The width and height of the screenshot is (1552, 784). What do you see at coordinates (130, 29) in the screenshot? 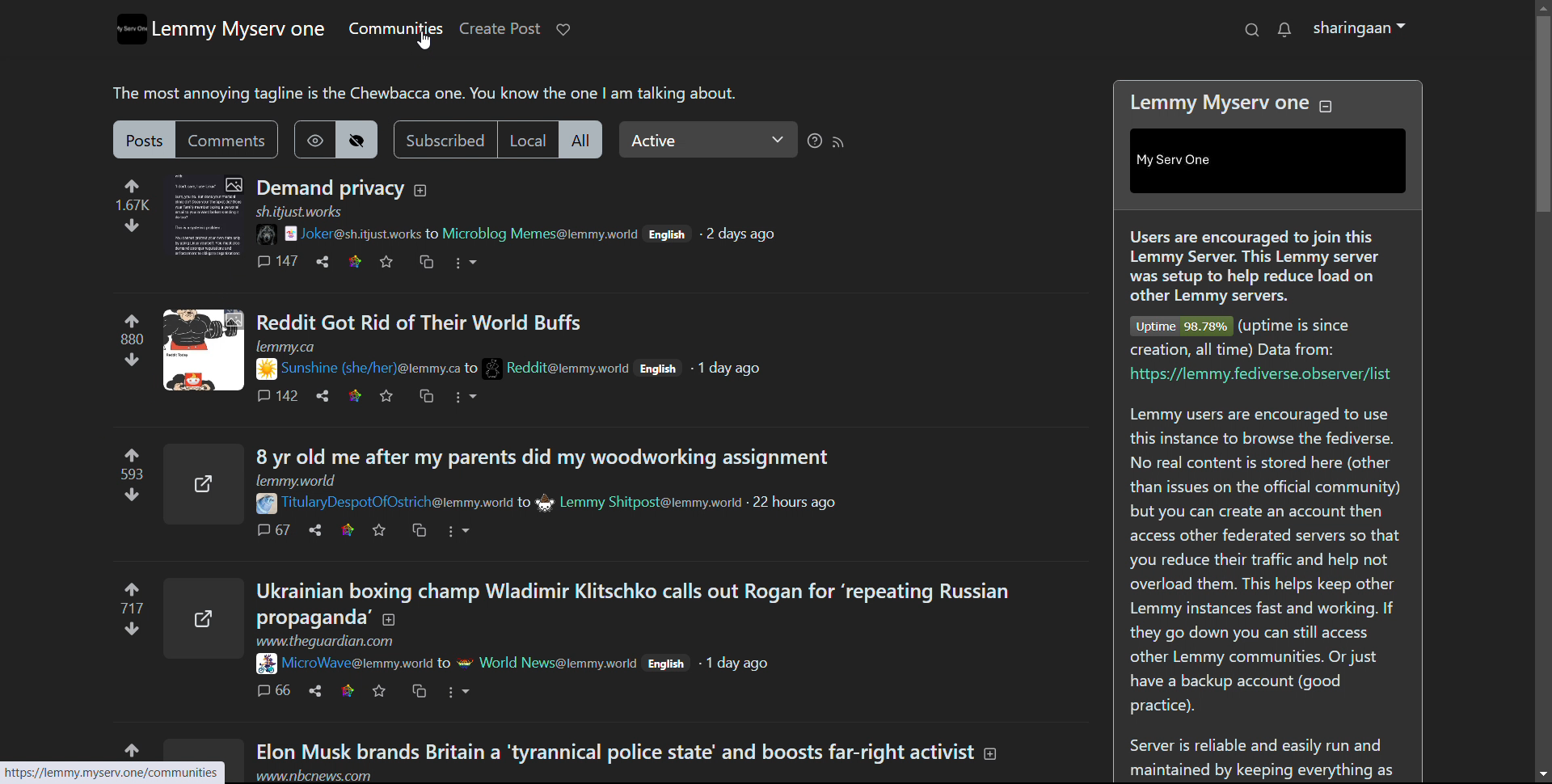
I see `logo` at bounding box center [130, 29].